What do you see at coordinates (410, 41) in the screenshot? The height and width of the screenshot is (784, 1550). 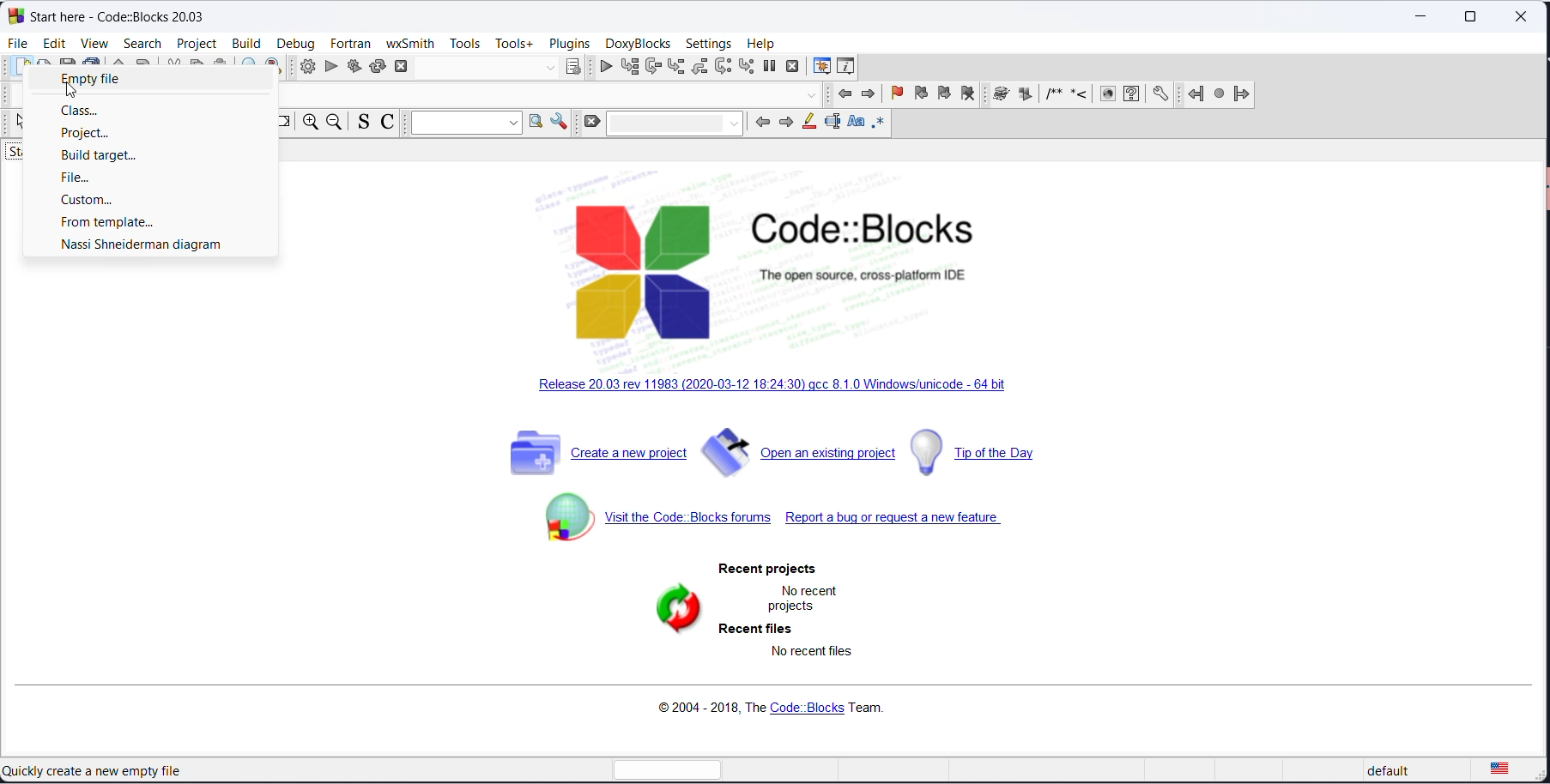 I see `WxSmith` at bounding box center [410, 41].